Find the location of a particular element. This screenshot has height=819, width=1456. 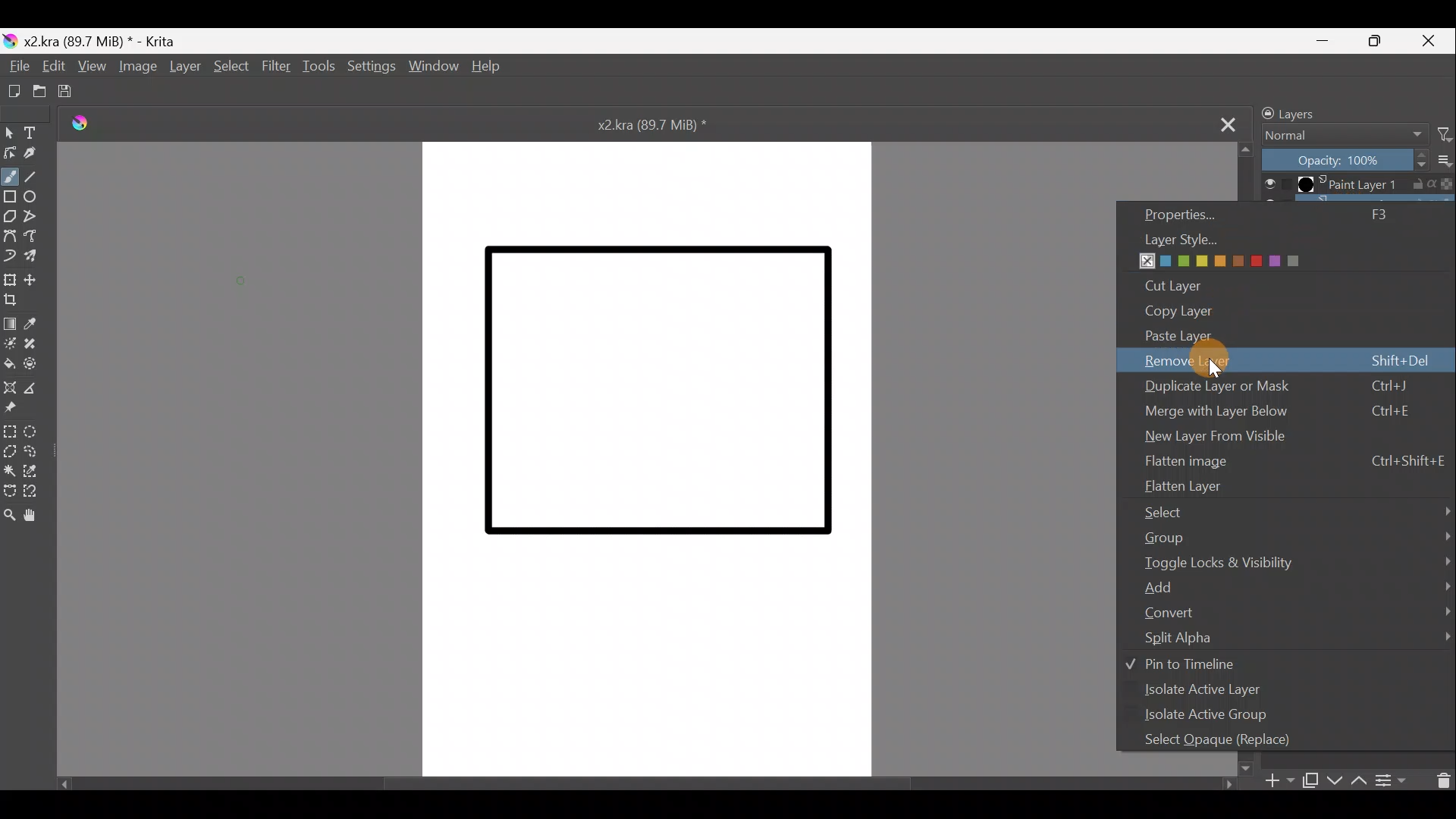

Cursor is located at coordinates (1215, 359).